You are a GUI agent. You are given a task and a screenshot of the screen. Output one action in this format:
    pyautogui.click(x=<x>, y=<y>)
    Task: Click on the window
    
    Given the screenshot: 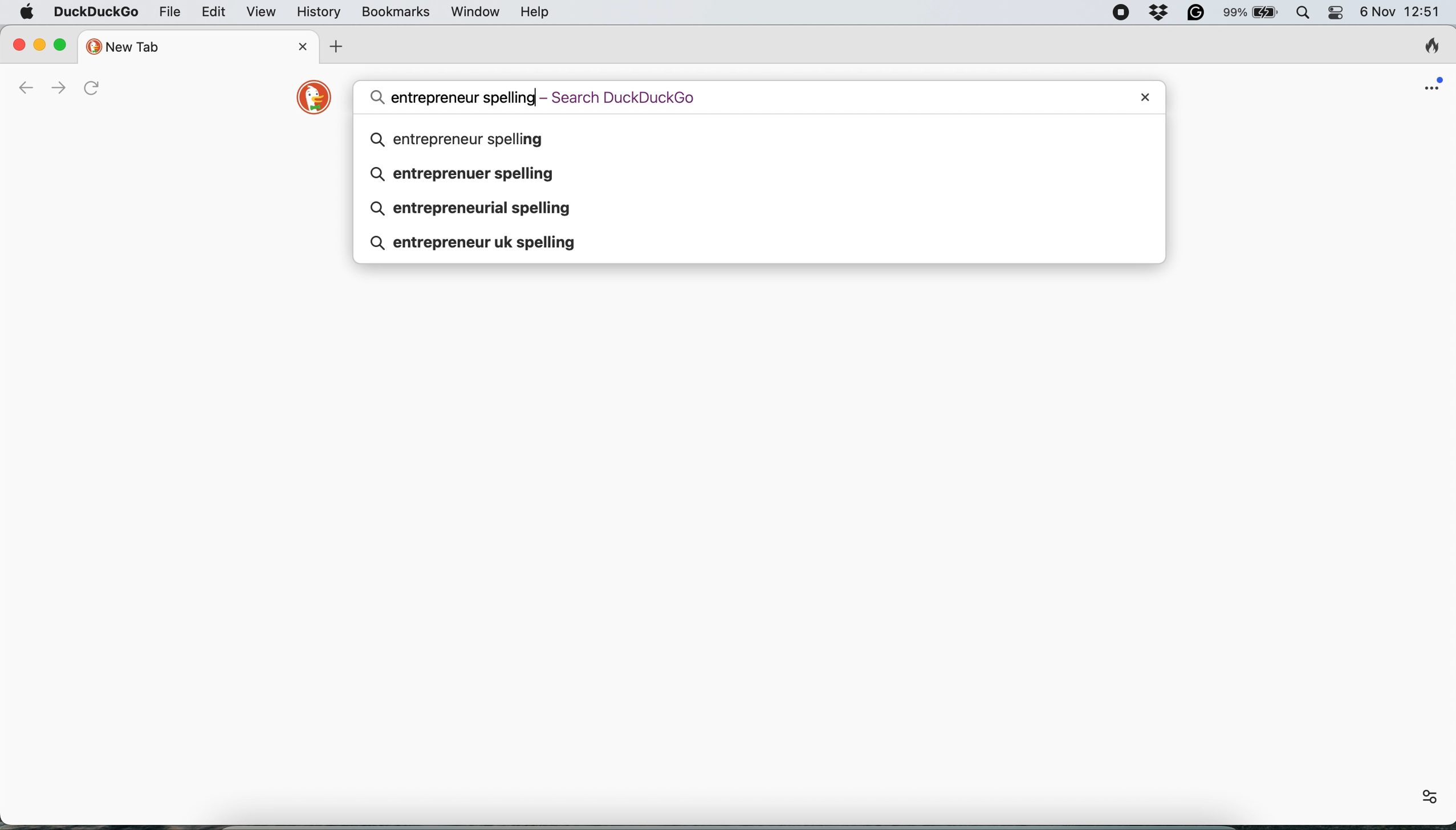 What is the action you would take?
    pyautogui.click(x=473, y=12)
    